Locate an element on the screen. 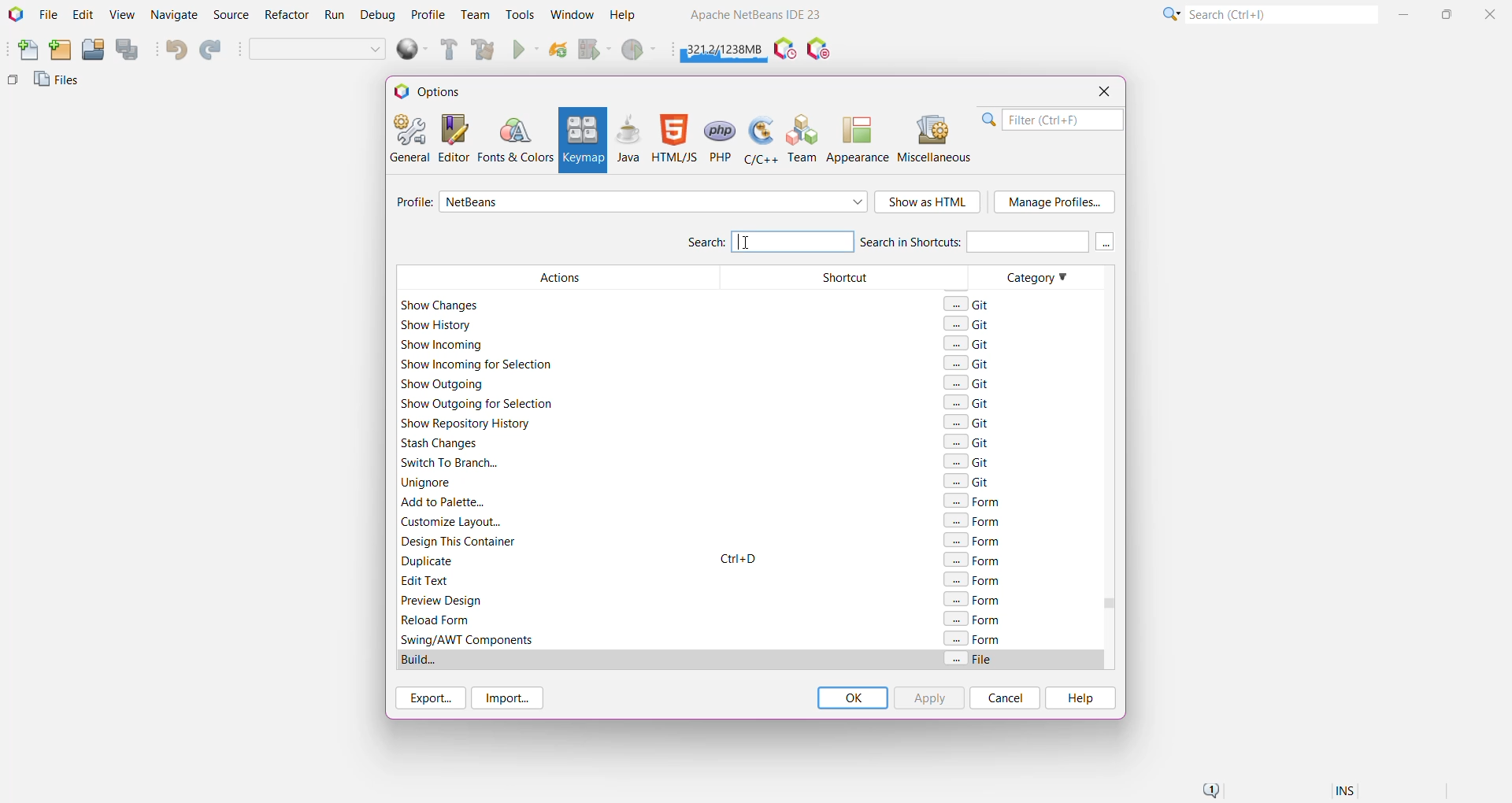 This screenshot has width=1512, height=803.  is located at coordinates (412, 50).